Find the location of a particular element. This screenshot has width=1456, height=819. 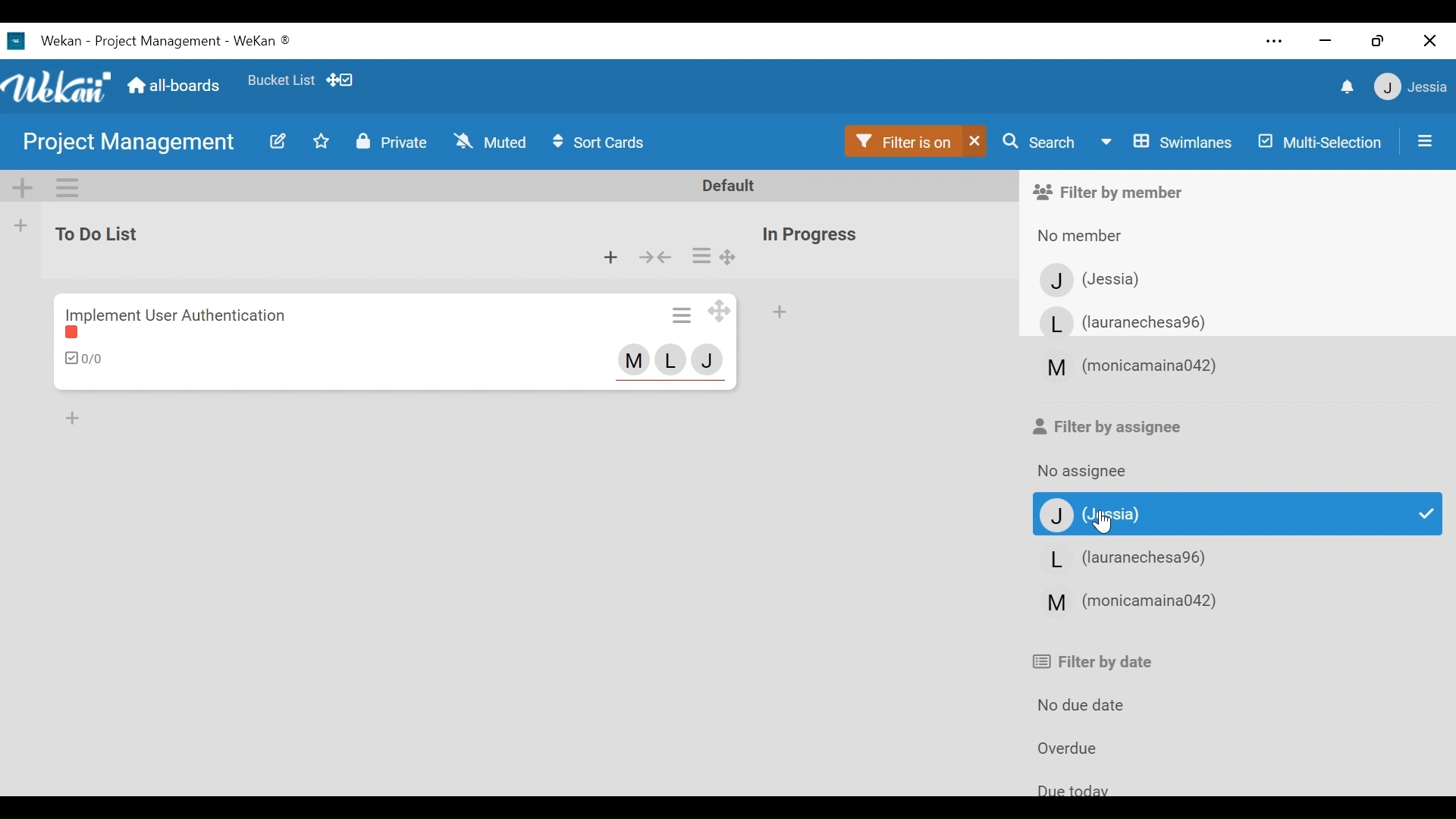

Add card to top of the list is located at coordinates (605, 257).